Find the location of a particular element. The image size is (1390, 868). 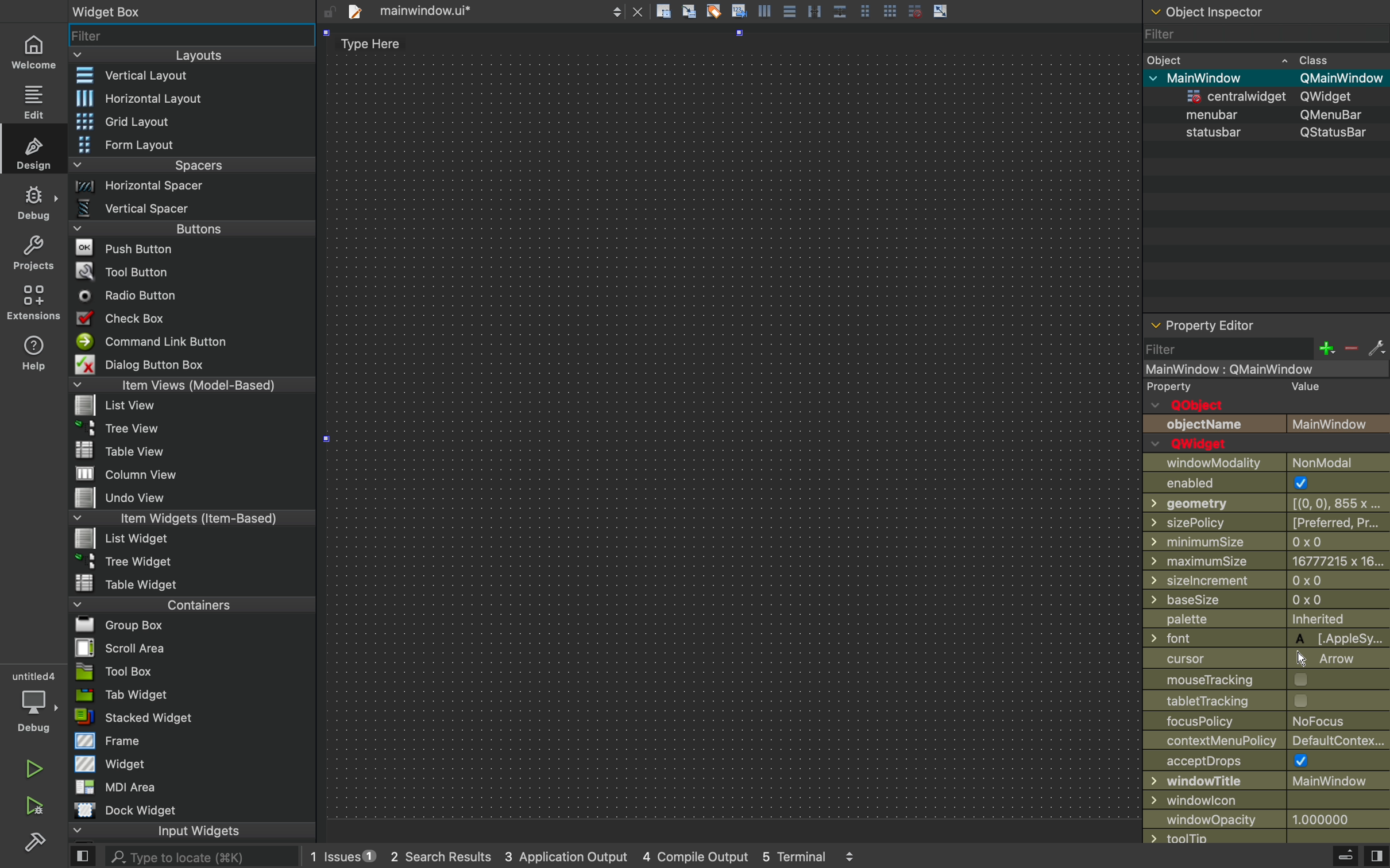

settingd is located at coordinates (30, 843).